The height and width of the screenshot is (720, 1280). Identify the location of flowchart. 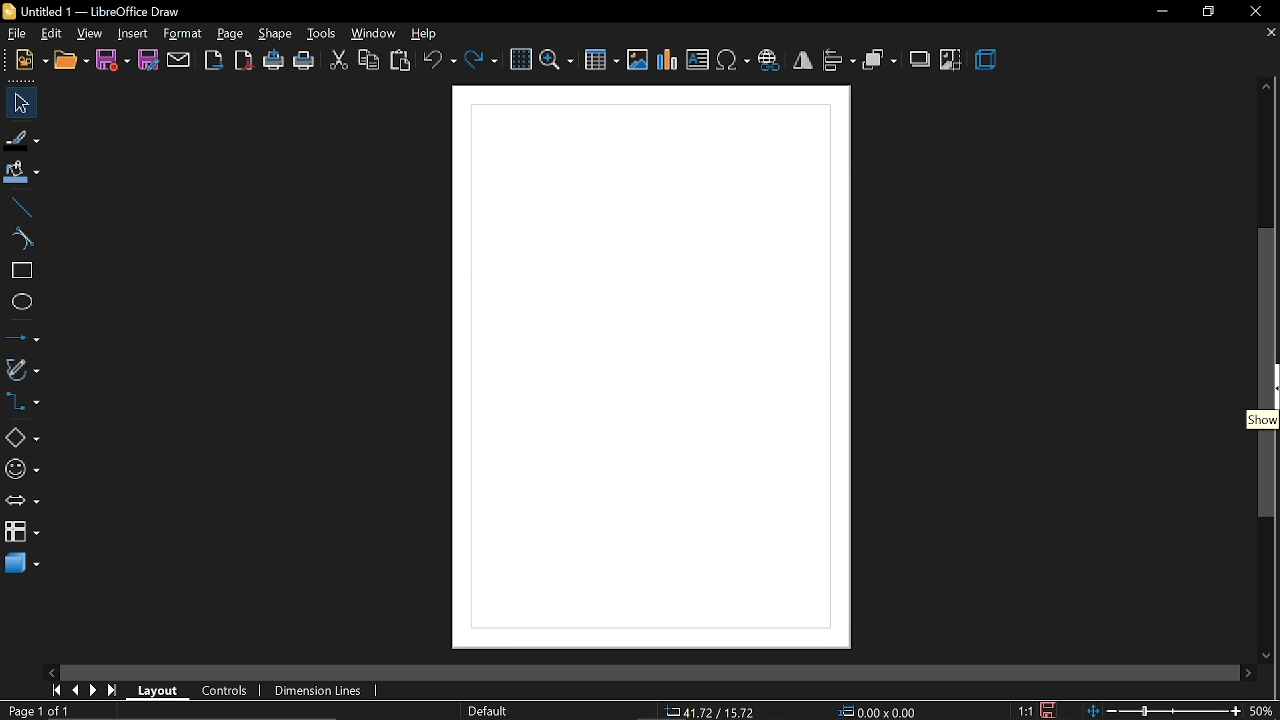
(21, 530).